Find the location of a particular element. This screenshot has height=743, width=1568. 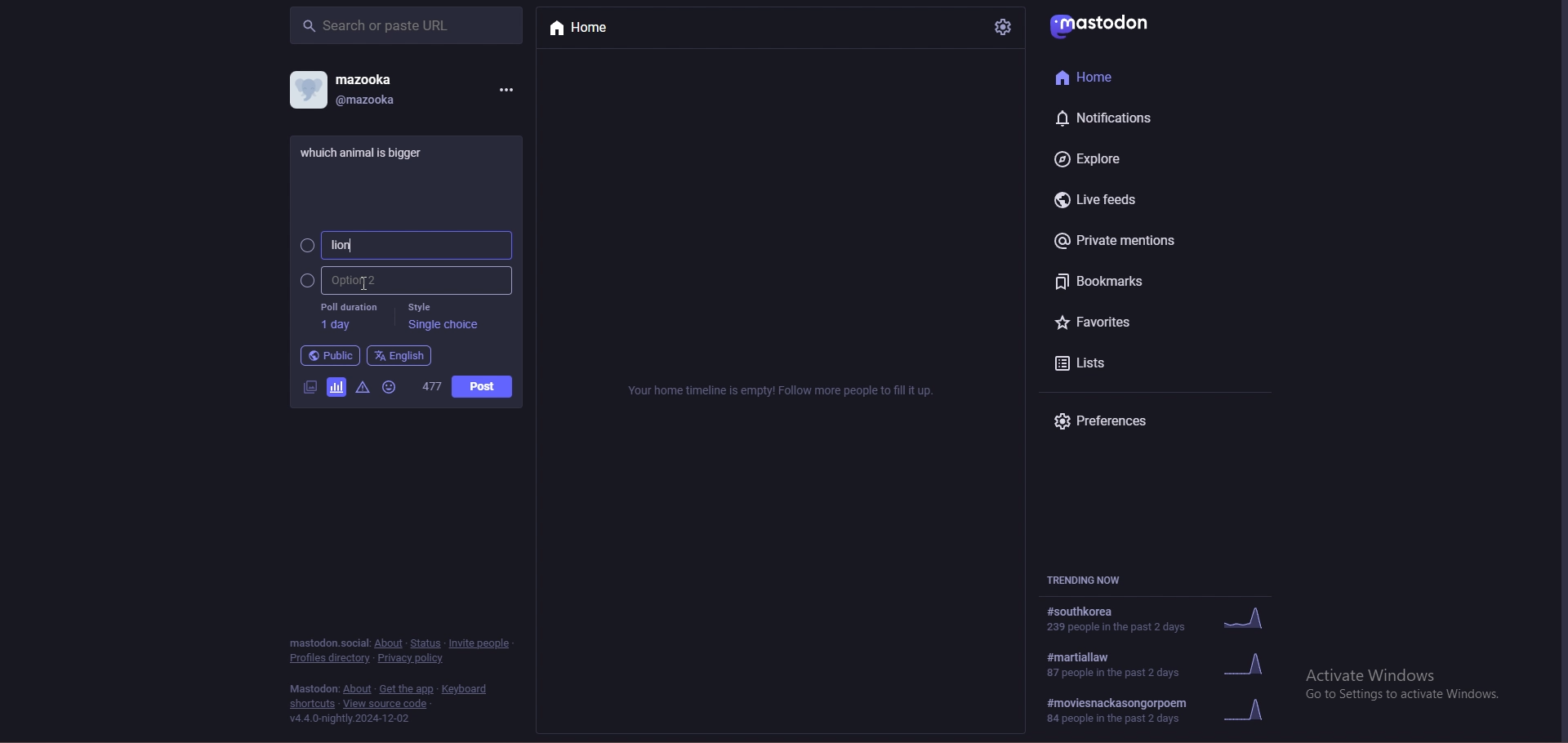

home is located at coordinates (595, 29).